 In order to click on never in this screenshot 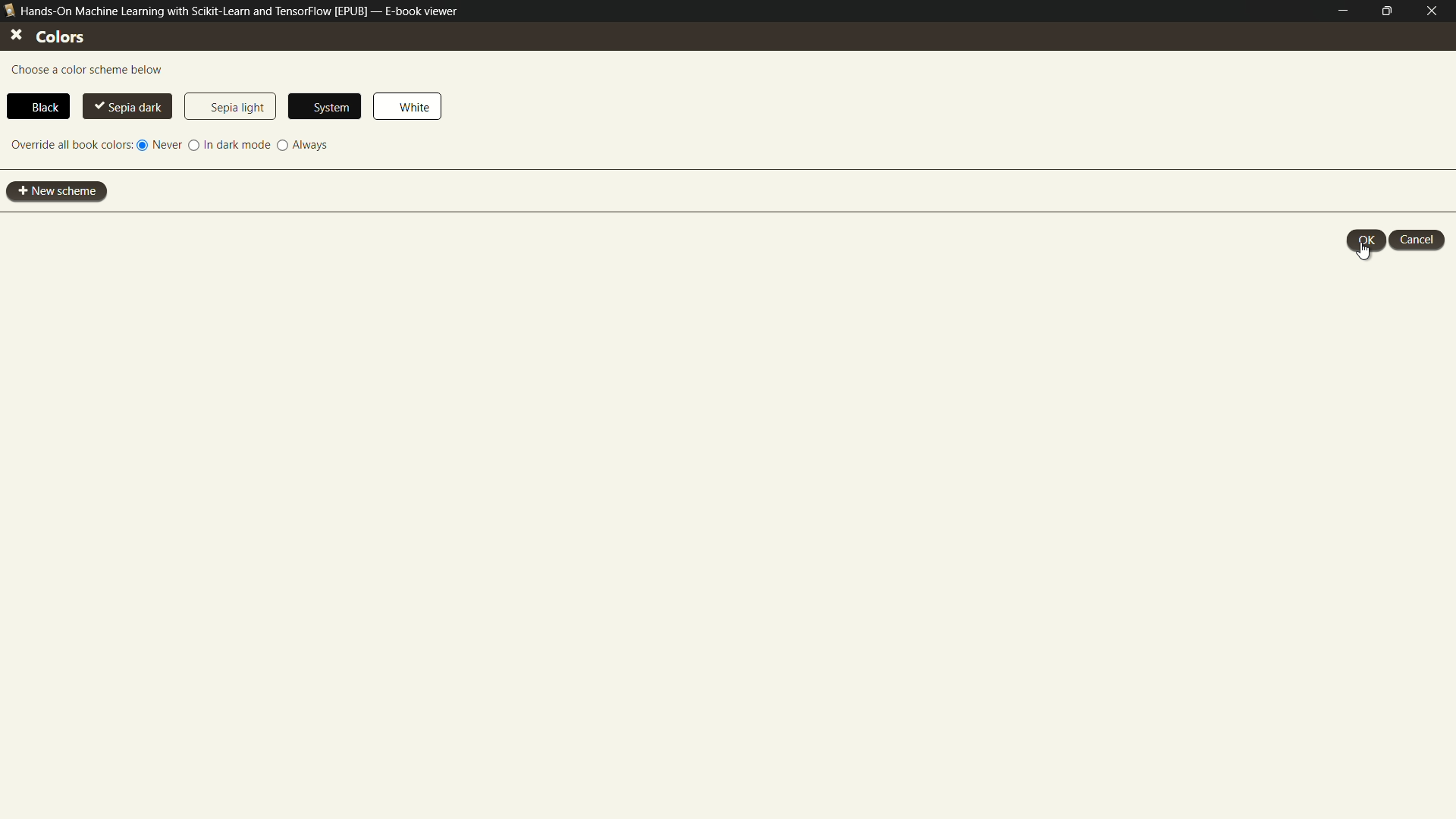, I will do `click(161, 145)`.